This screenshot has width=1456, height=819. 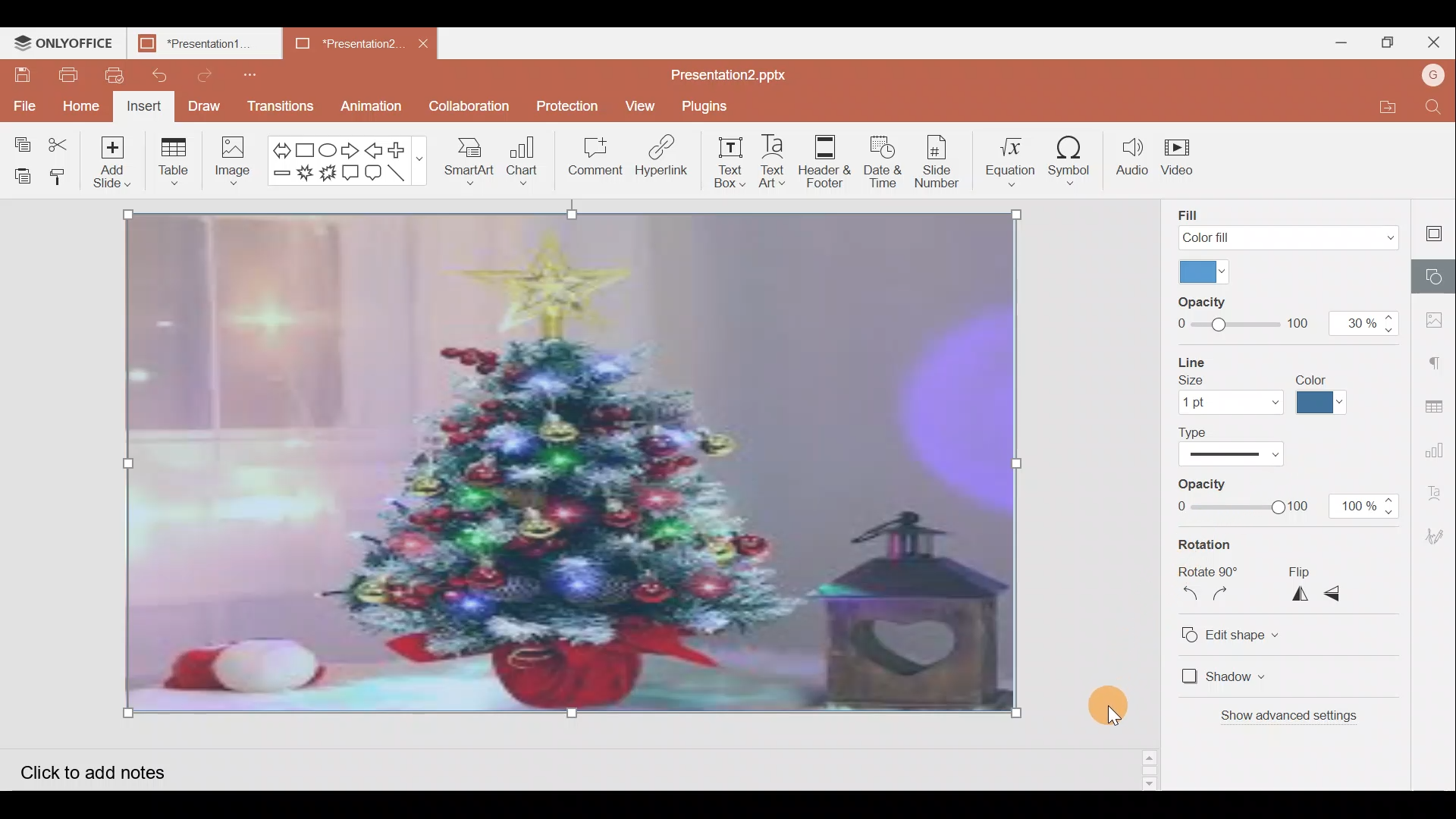 What do you see at coordinates (1441, 357) in the screenshot?
I see `Paragraph settings` at bounding box center [1441, 357].